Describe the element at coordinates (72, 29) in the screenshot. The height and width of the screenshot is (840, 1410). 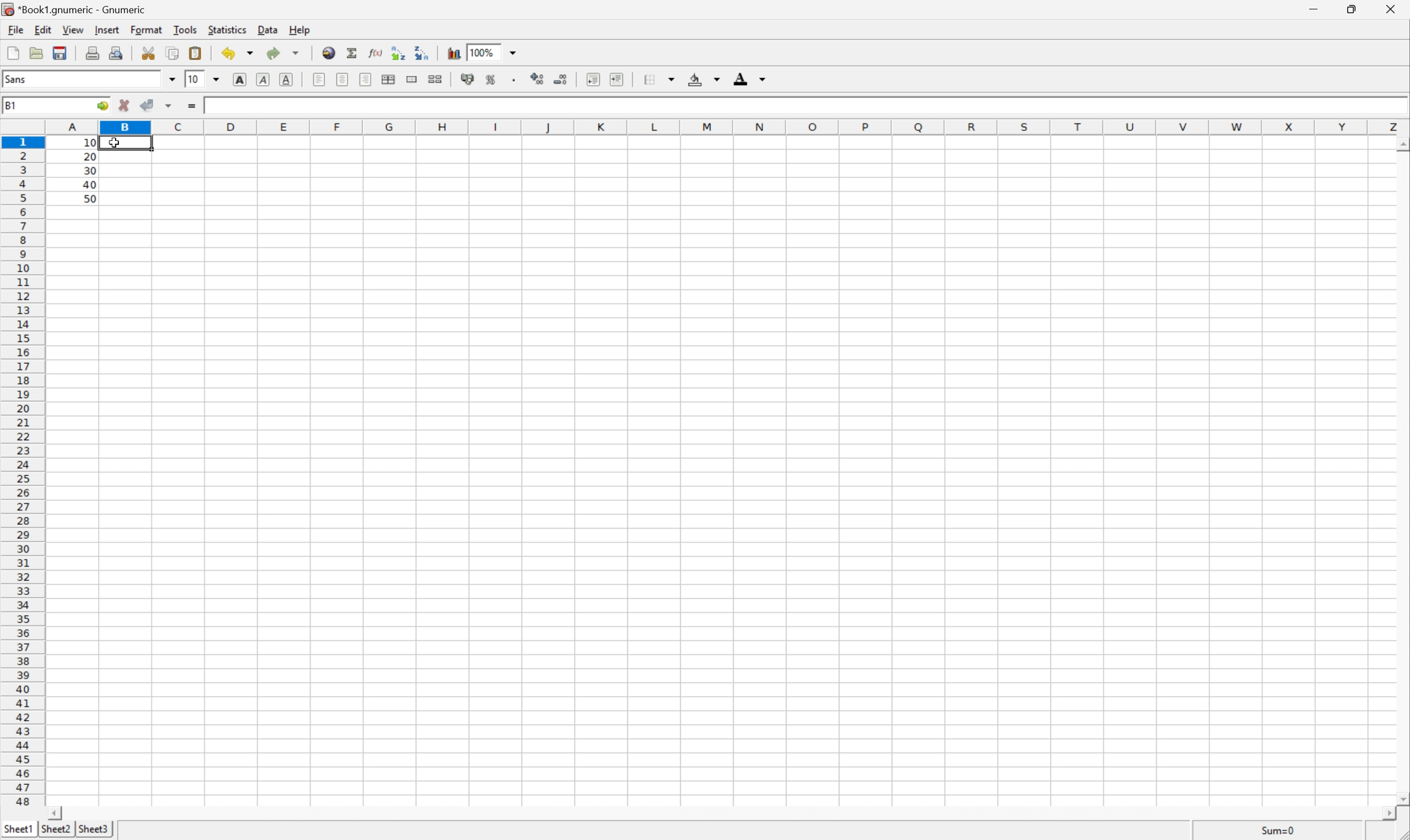
I see `View` at that location.